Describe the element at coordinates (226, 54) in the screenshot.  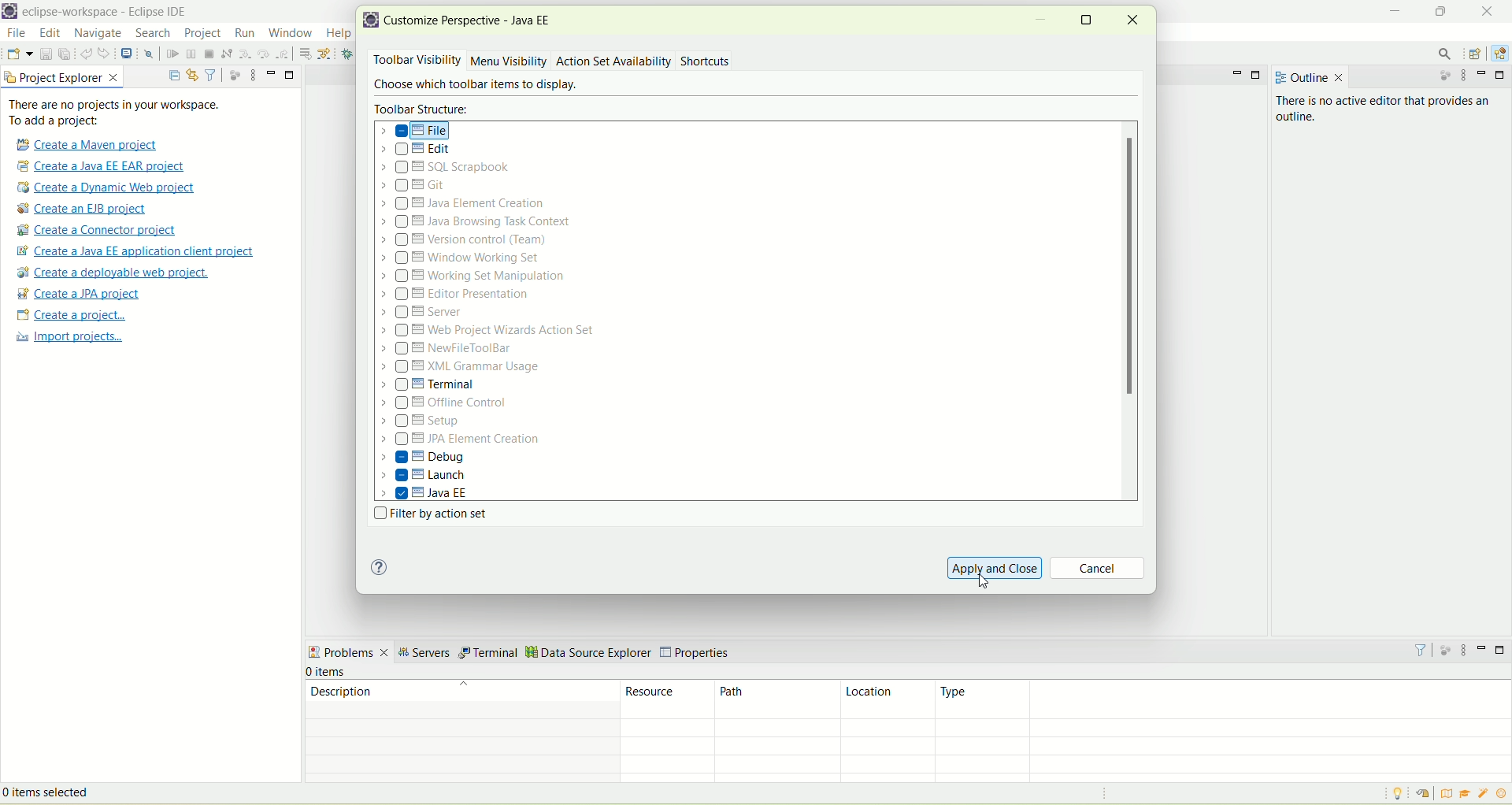
I see `disconnect` at that location.